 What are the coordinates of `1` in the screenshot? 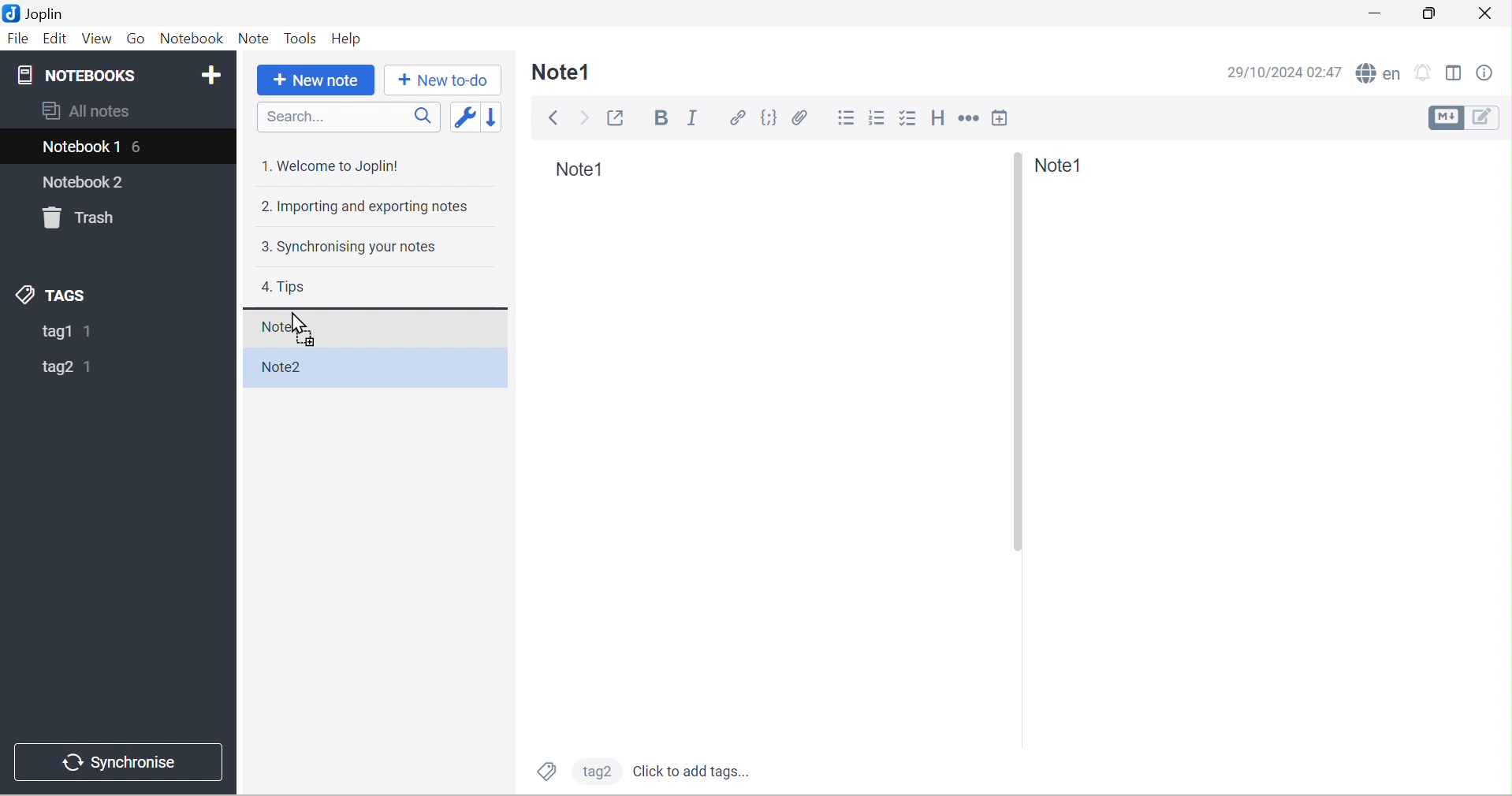 It's located at (93, 332).